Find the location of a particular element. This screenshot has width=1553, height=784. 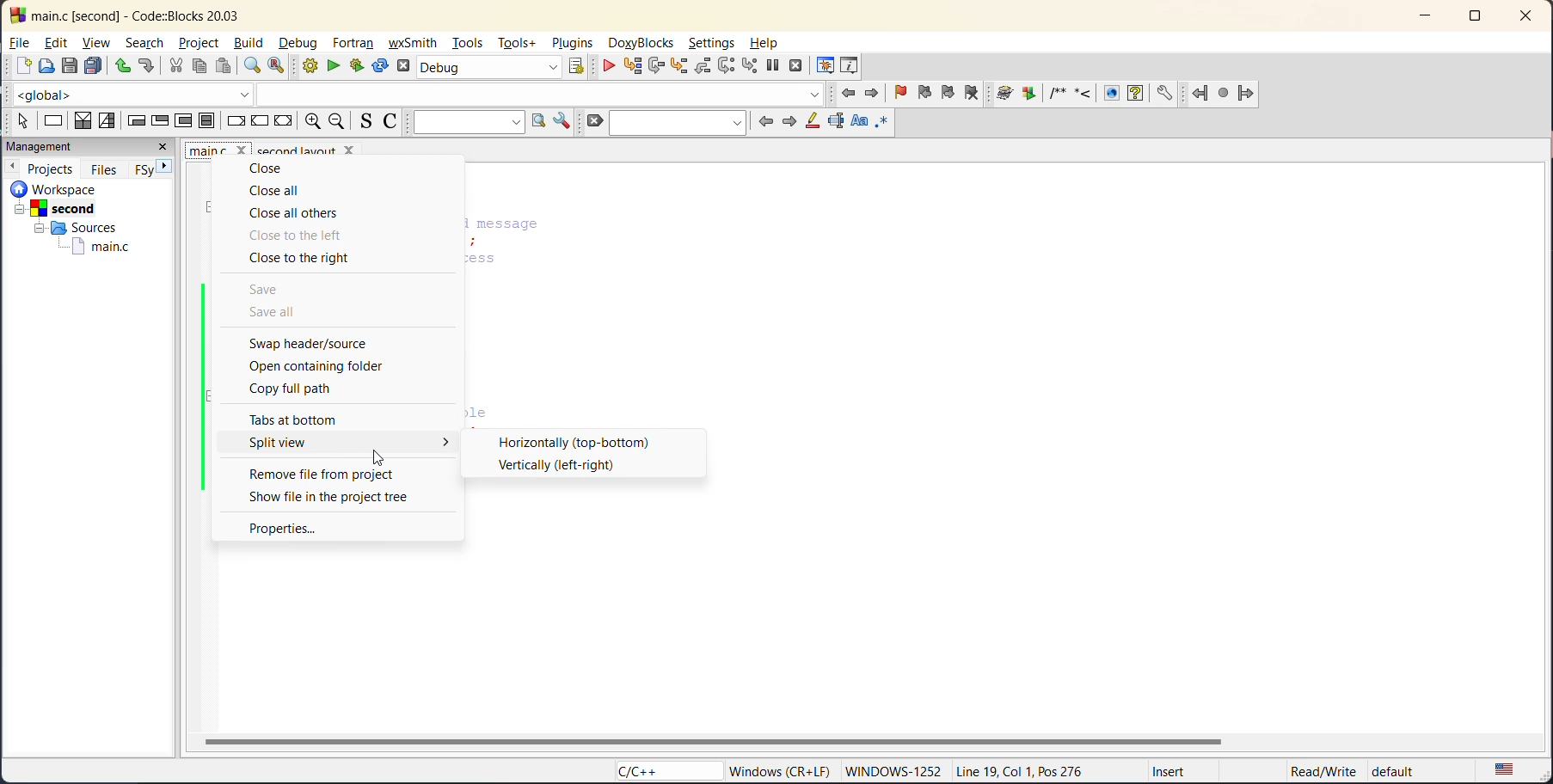

search is located at coordinates (144, 42).